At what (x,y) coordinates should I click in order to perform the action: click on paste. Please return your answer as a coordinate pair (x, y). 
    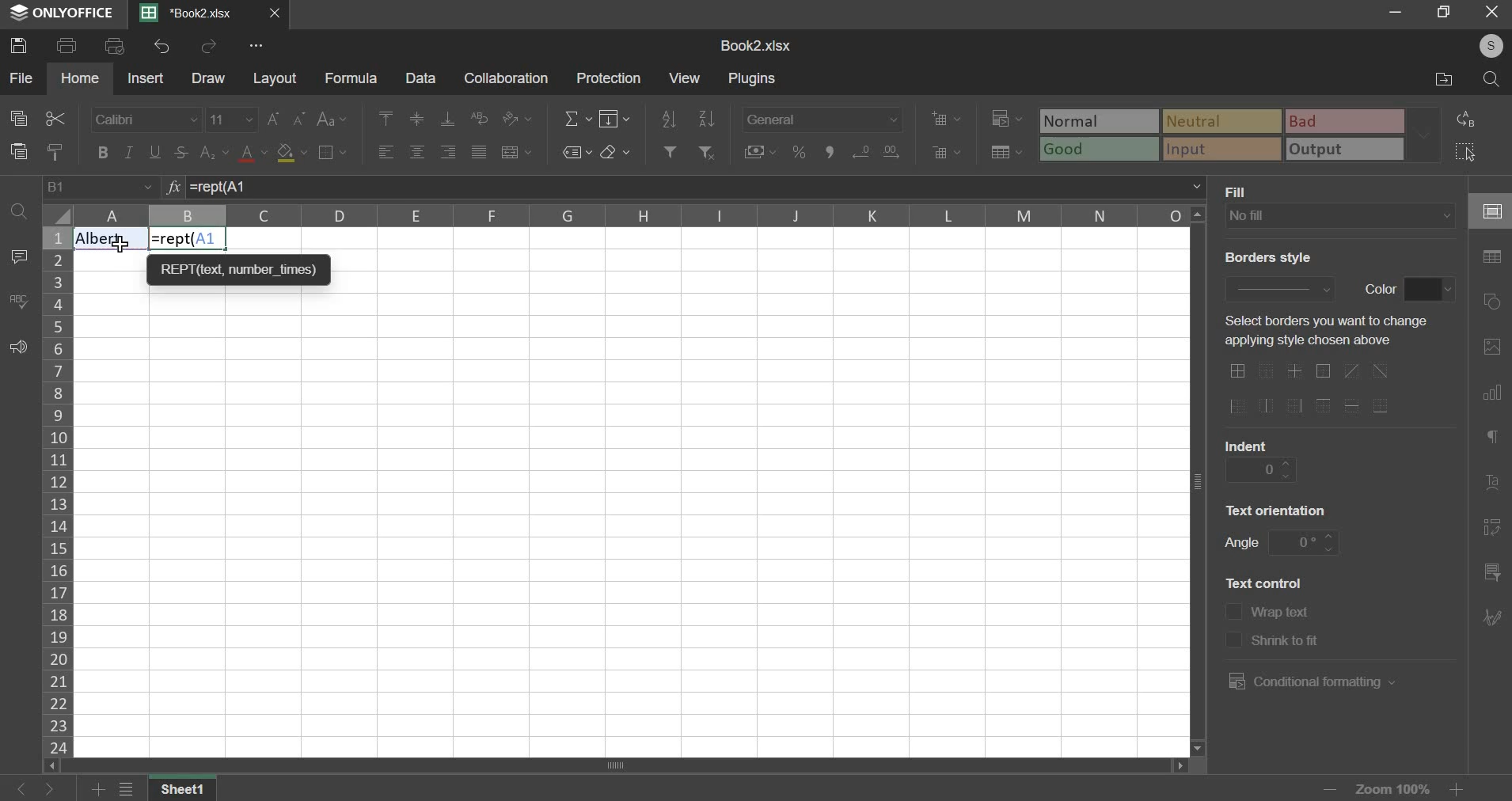
    Looking at the image, I should click on (18, 150).